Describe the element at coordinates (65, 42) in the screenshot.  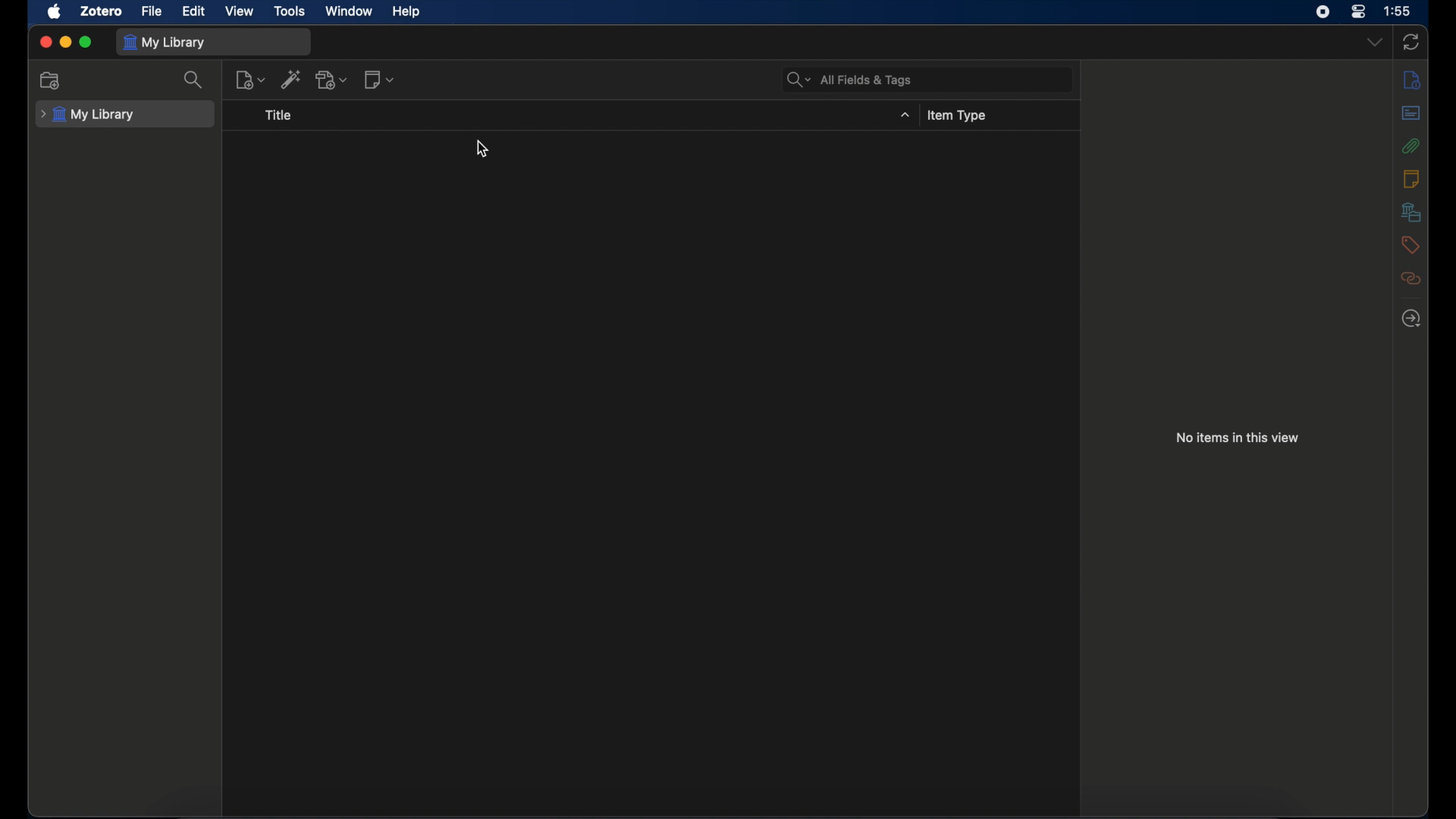
I see `minimize` at that location.